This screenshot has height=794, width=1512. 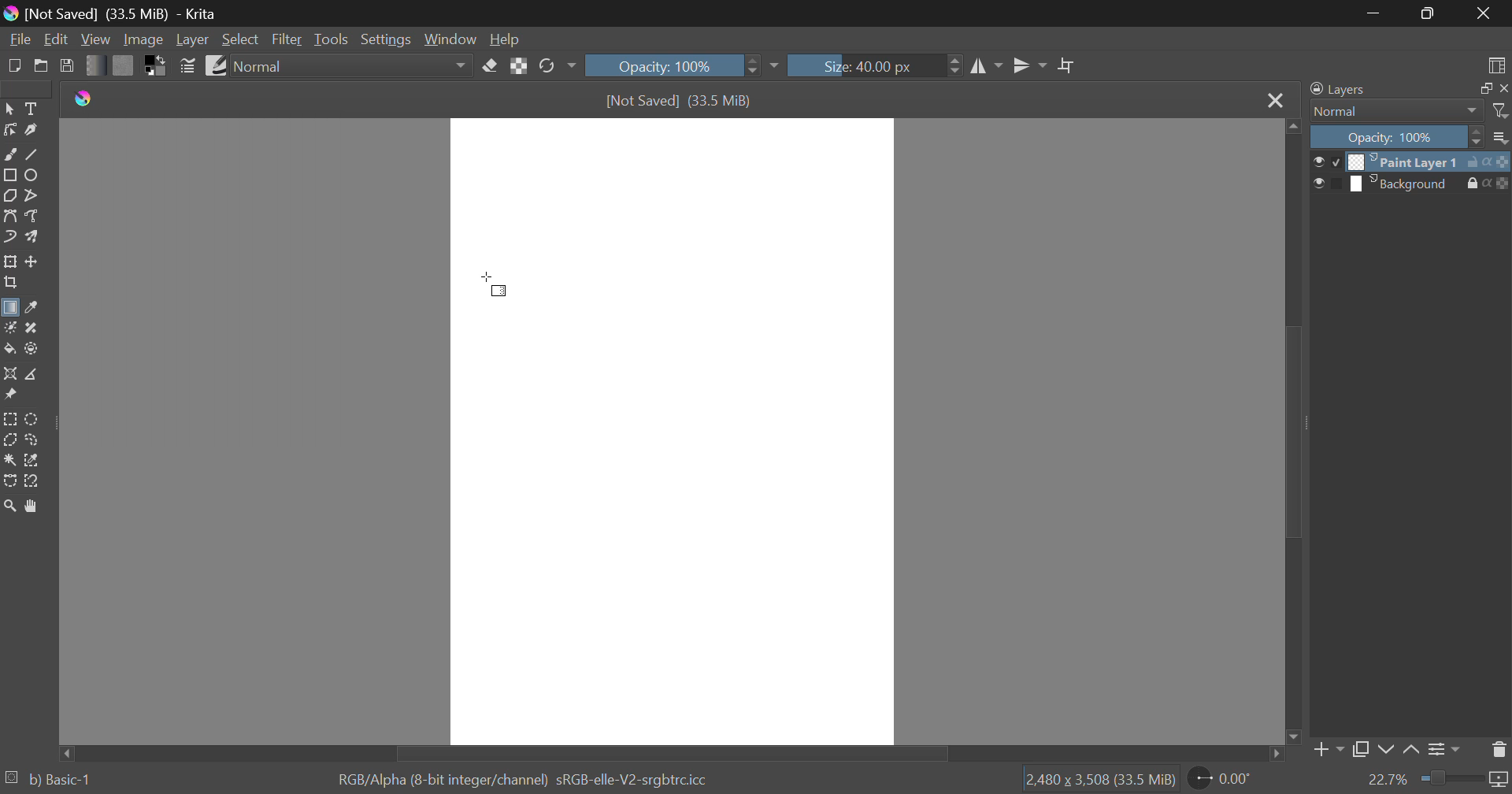 I want to click on b) Basic-1, so click(x=49, y=781).